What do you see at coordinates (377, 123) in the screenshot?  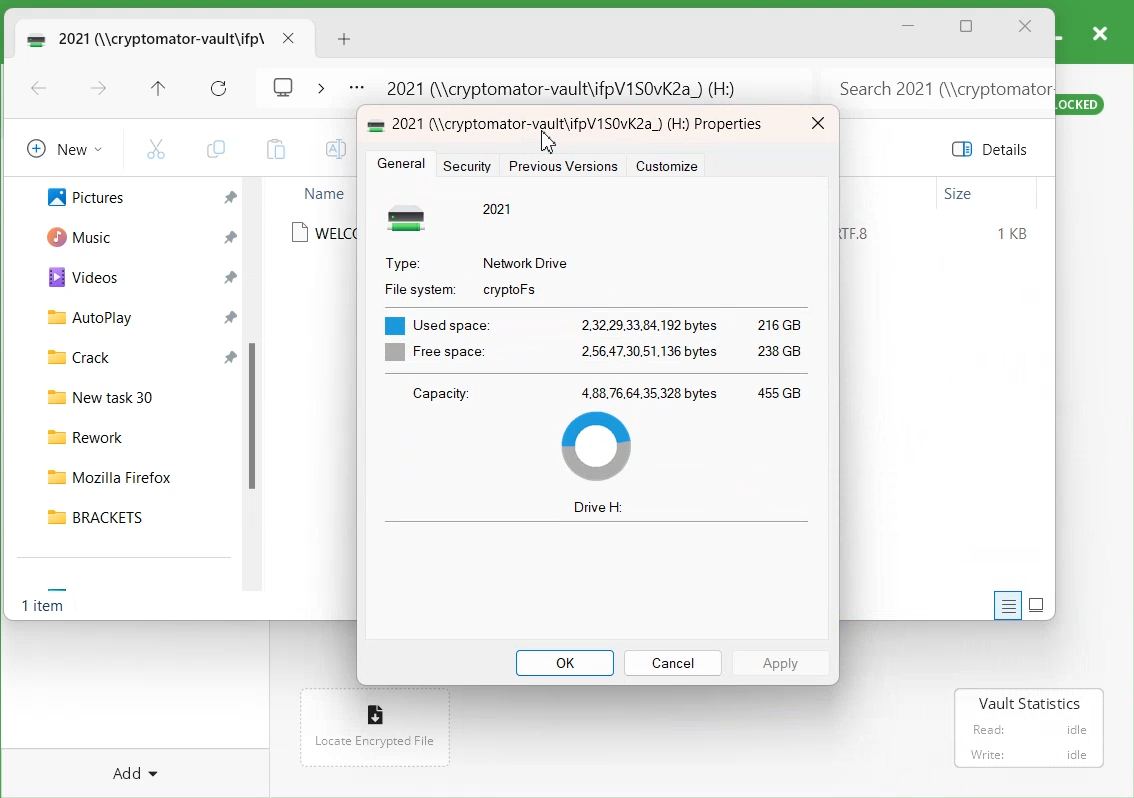 I see `Icon` at bounding box center [377, 123].